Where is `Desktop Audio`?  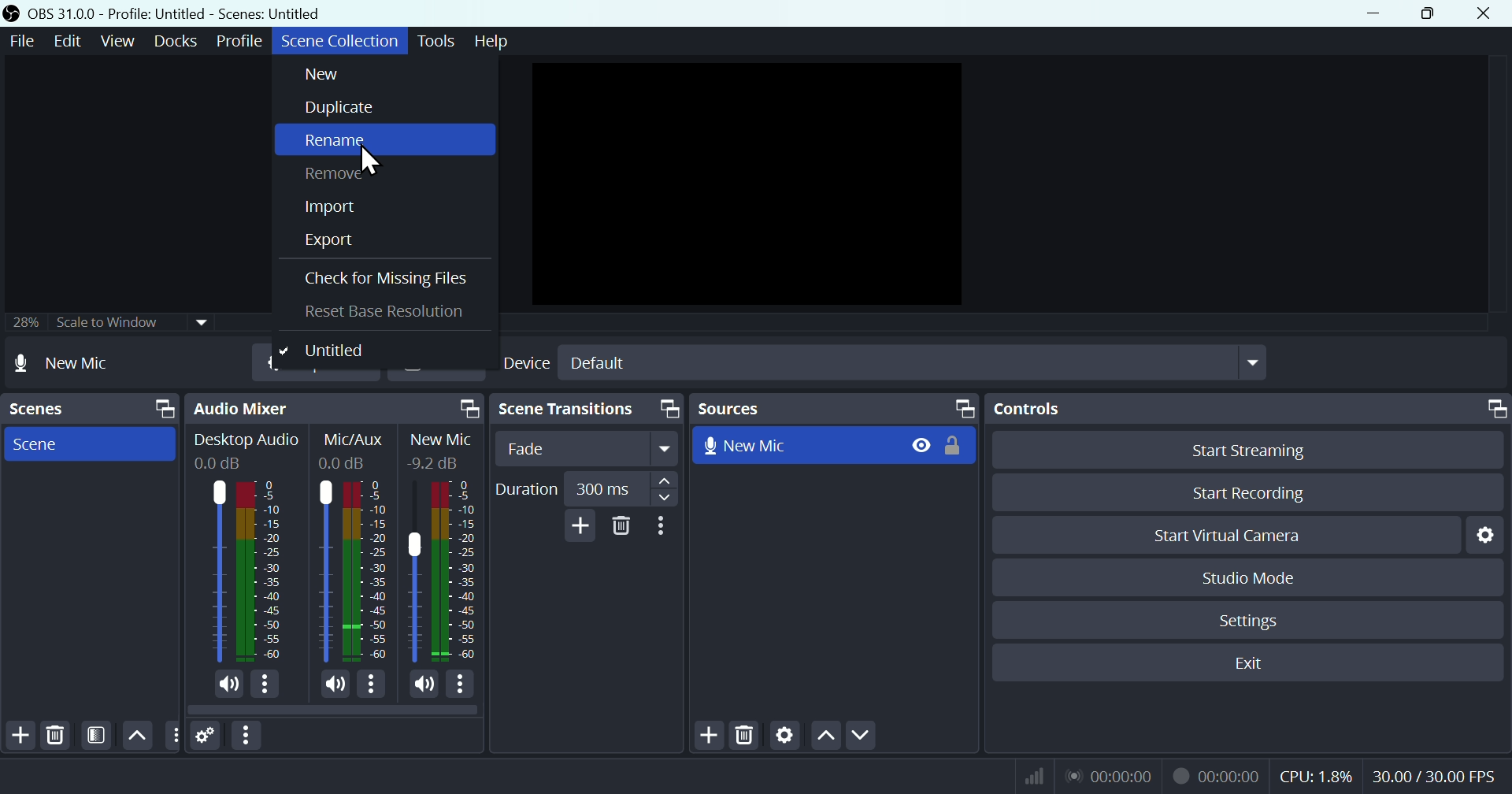
Desktop Audio is located at coordinates (217, 570).